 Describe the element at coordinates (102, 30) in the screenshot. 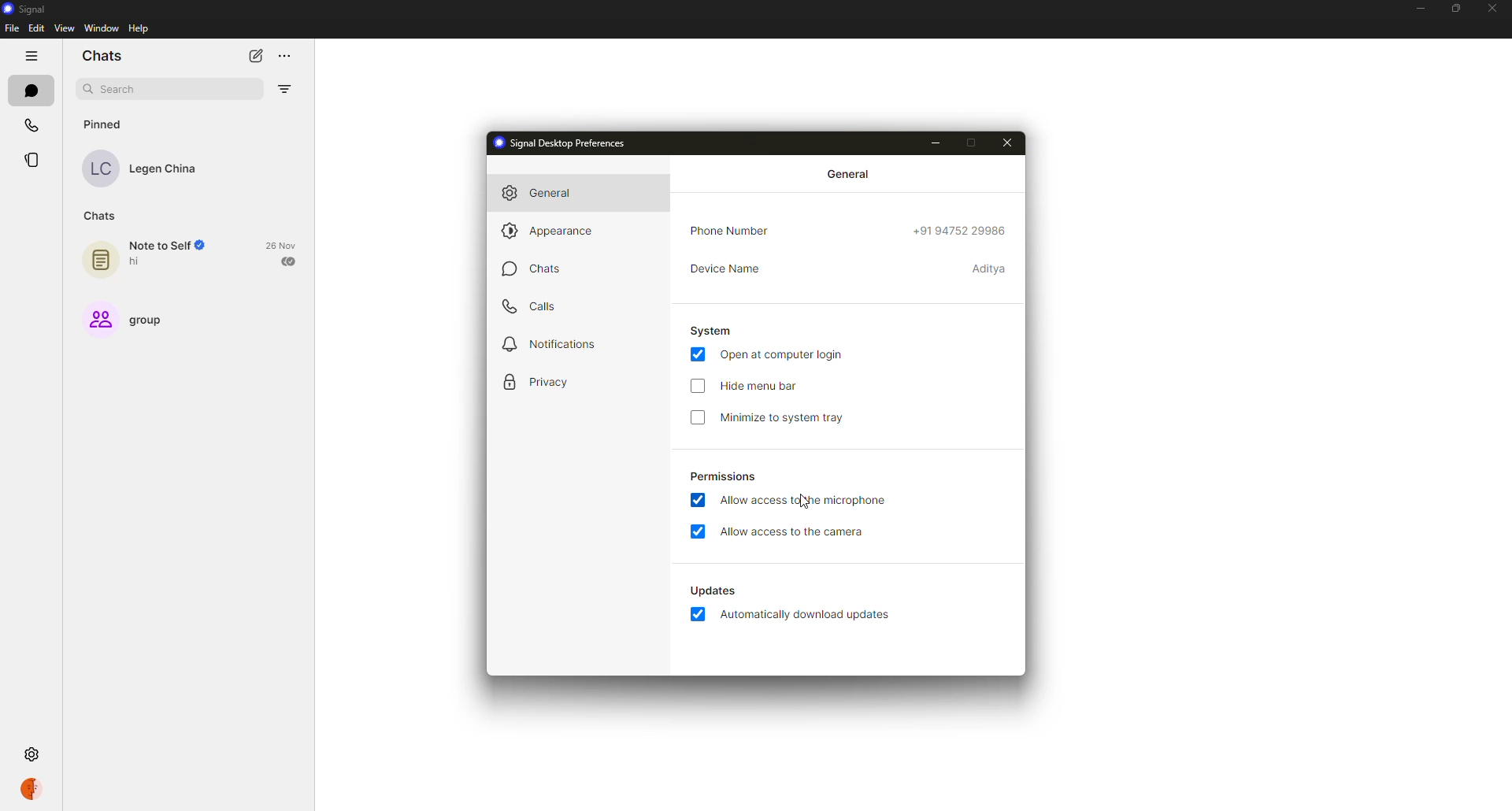

I see `window` at that location.